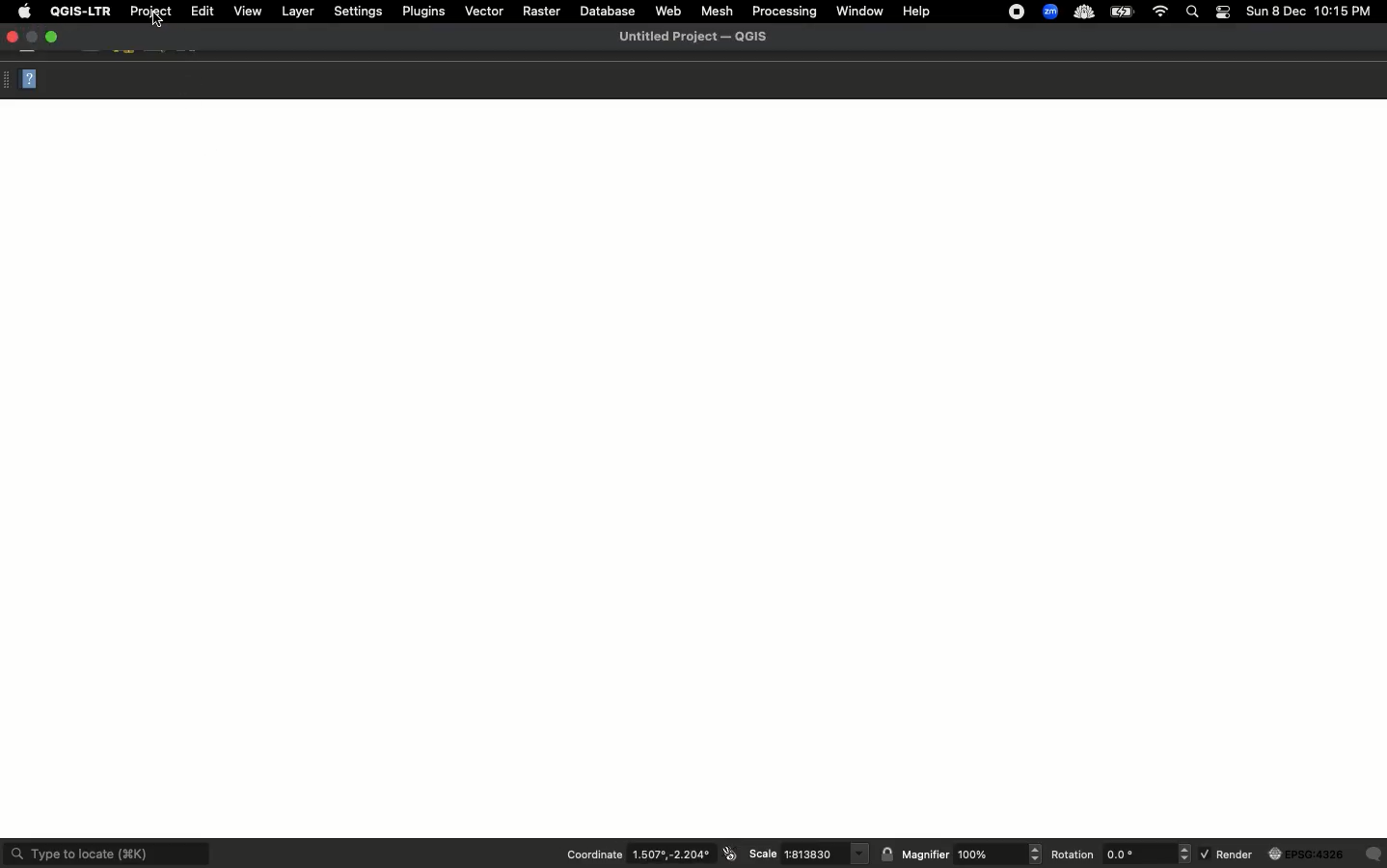  I want to click on icon, so click(729, 854).